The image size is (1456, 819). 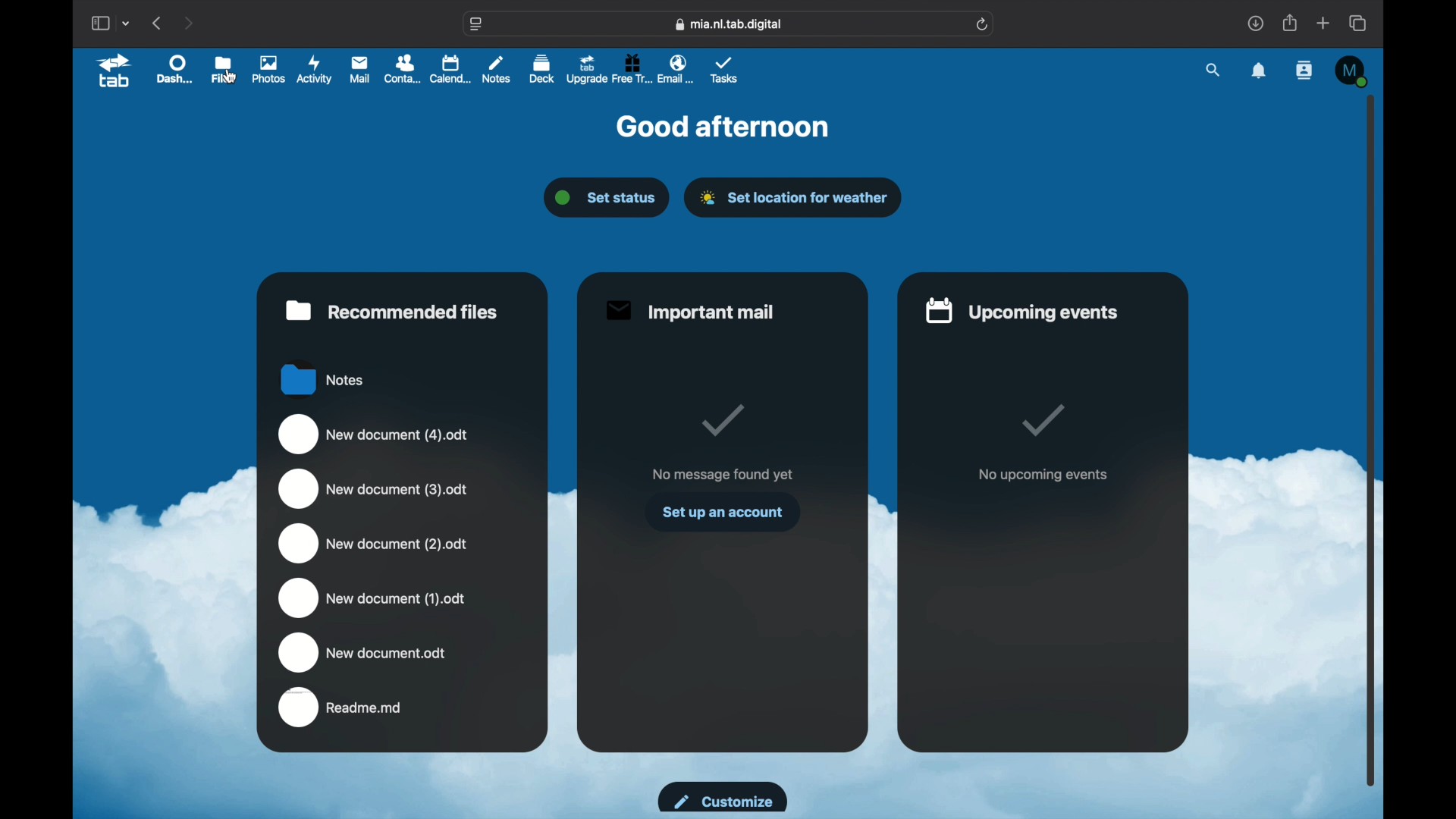 What do you see at coordinates (268, 69) in the screenshot?
I see `photos` at bounding box center [268, 69].